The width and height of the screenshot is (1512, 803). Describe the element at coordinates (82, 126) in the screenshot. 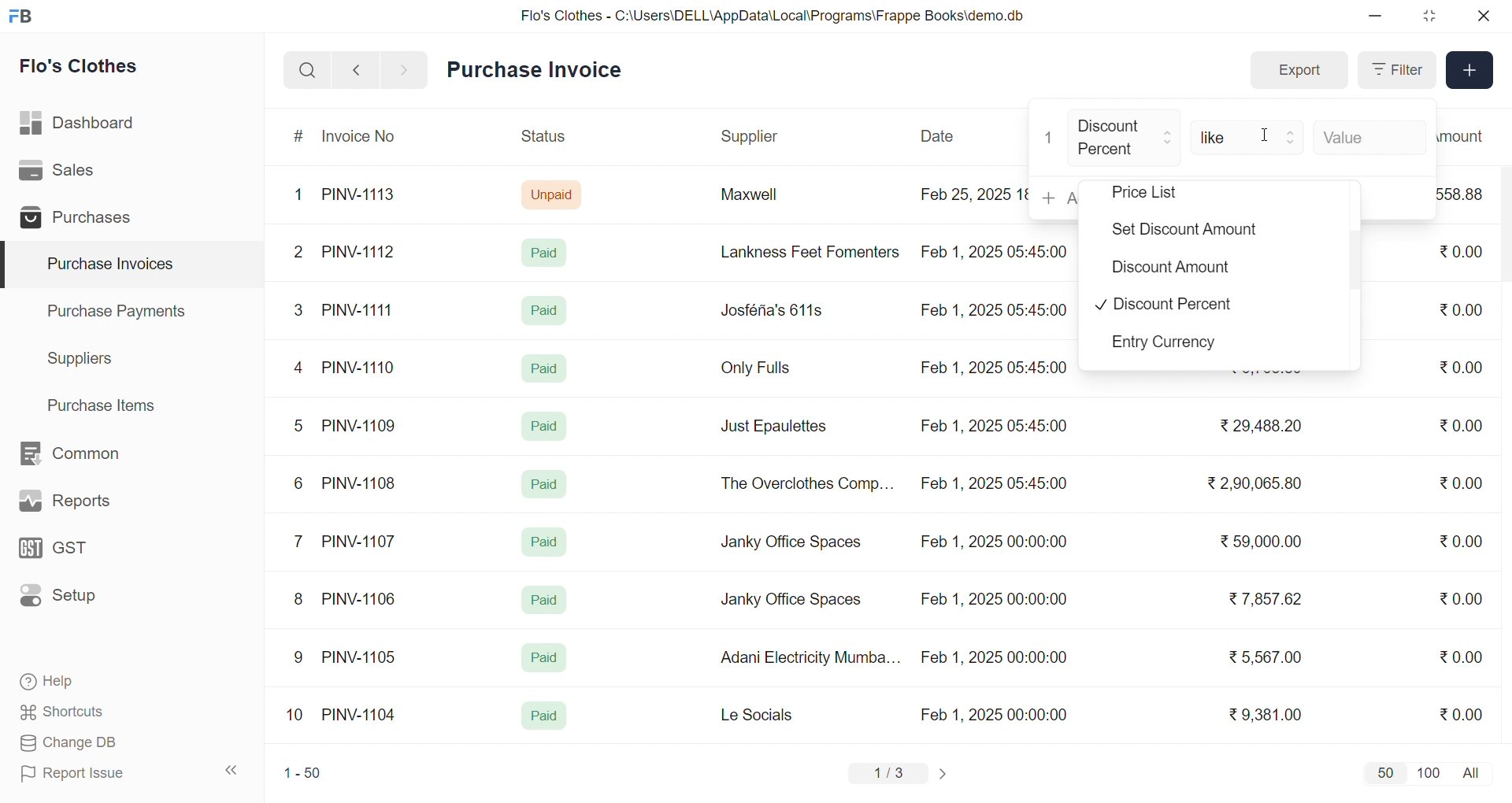

I see `Dashboard` at that location.